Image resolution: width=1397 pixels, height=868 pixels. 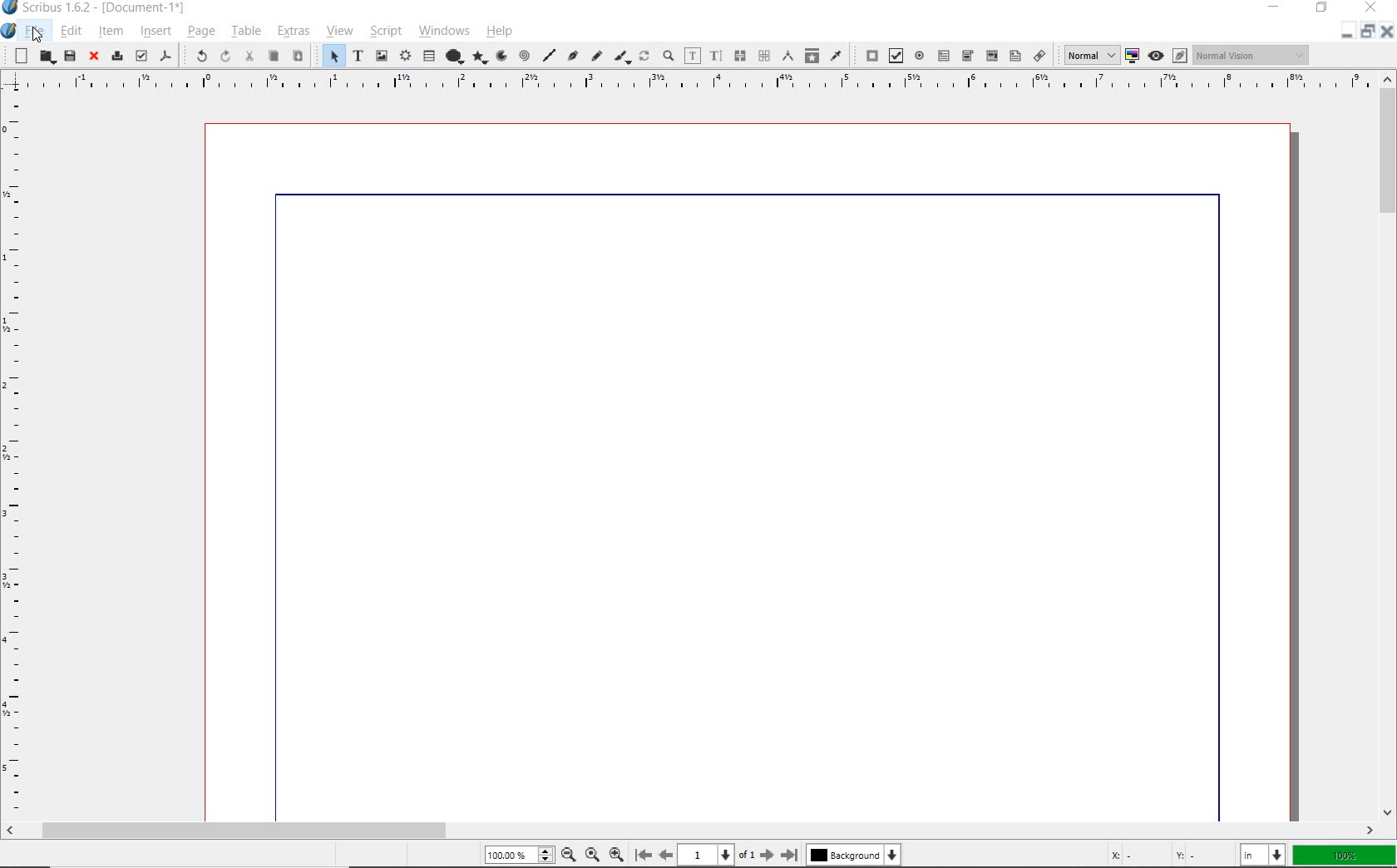 What do you see at coordinates (163, 57) in the screenshot?
I see `save as pdf` at bounding box center [163, 57].